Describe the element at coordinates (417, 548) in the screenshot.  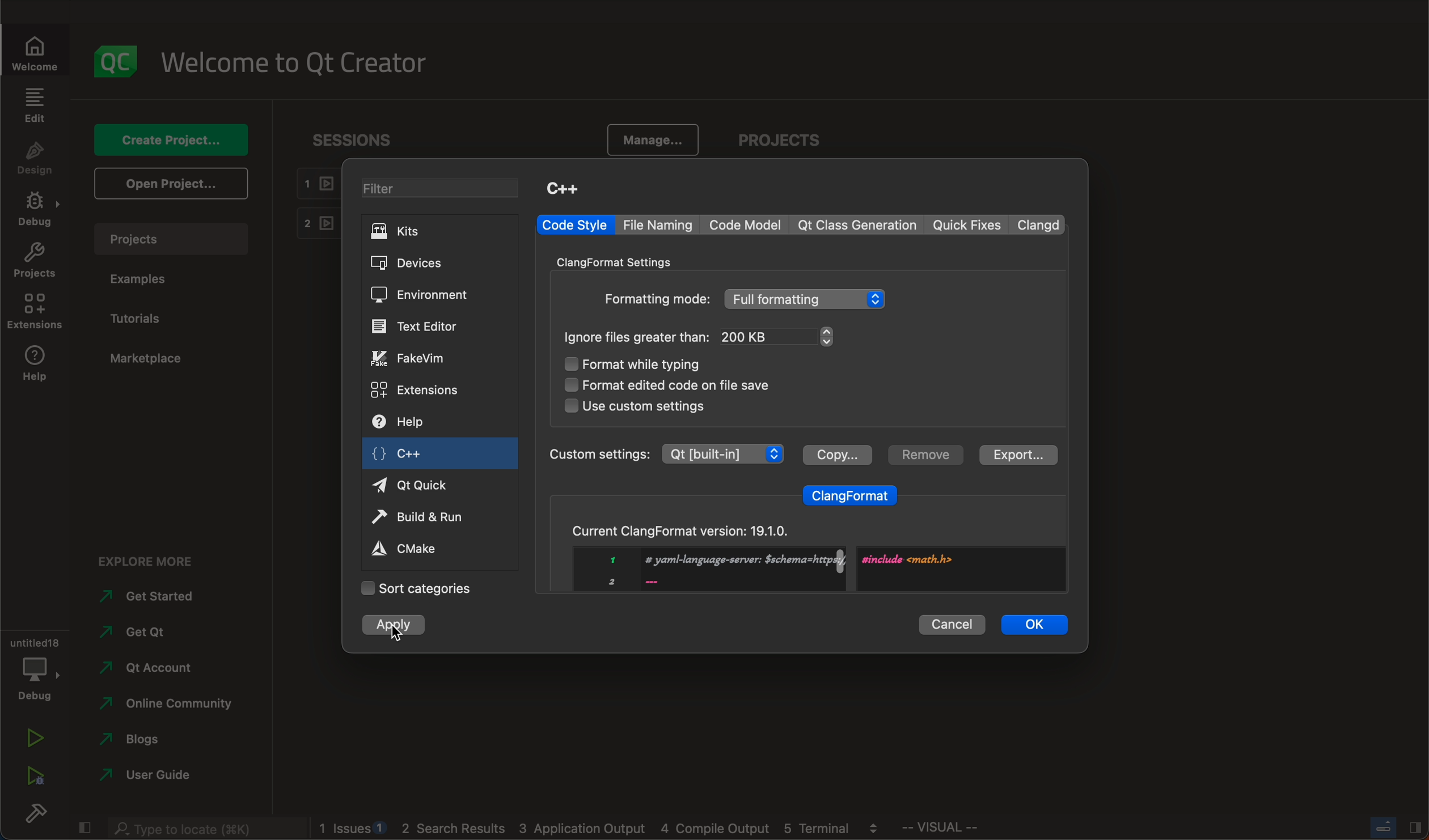
I see `cmake` at that location.